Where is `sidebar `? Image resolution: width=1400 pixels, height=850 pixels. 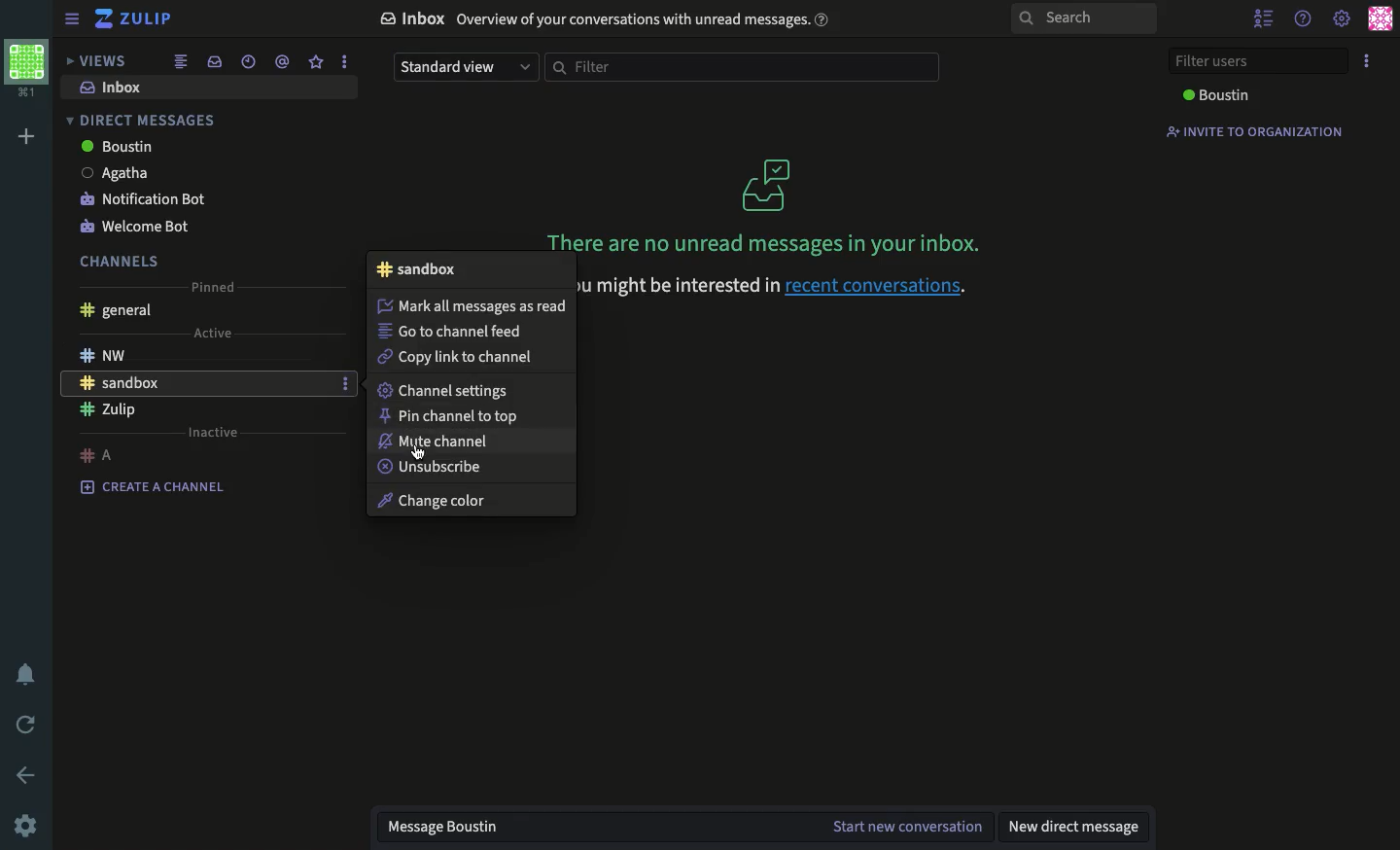
sidebar  is located at coordinates (68, 19).